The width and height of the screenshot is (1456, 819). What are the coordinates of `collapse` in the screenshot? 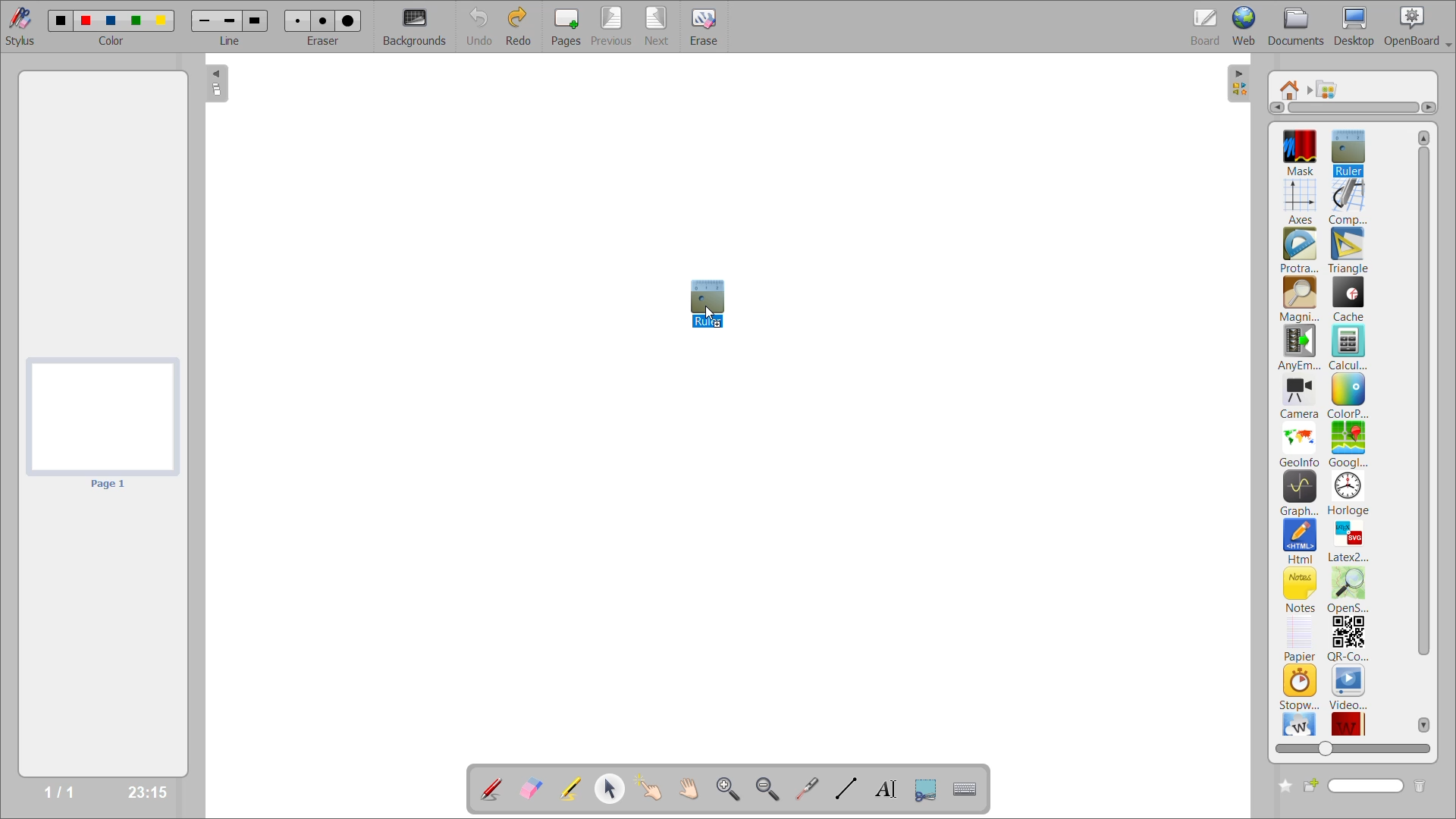 It's located at (218, 85).